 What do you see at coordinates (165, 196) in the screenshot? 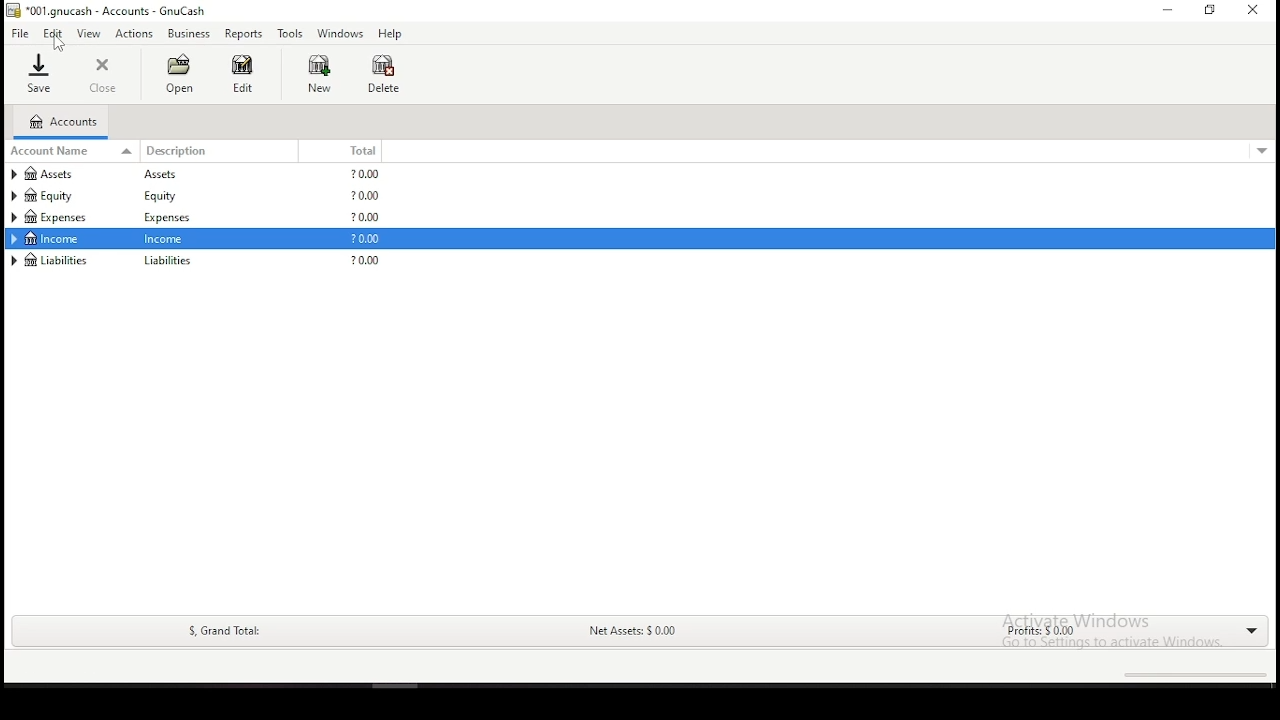
I see `equity` at bounding box center [165, 196].